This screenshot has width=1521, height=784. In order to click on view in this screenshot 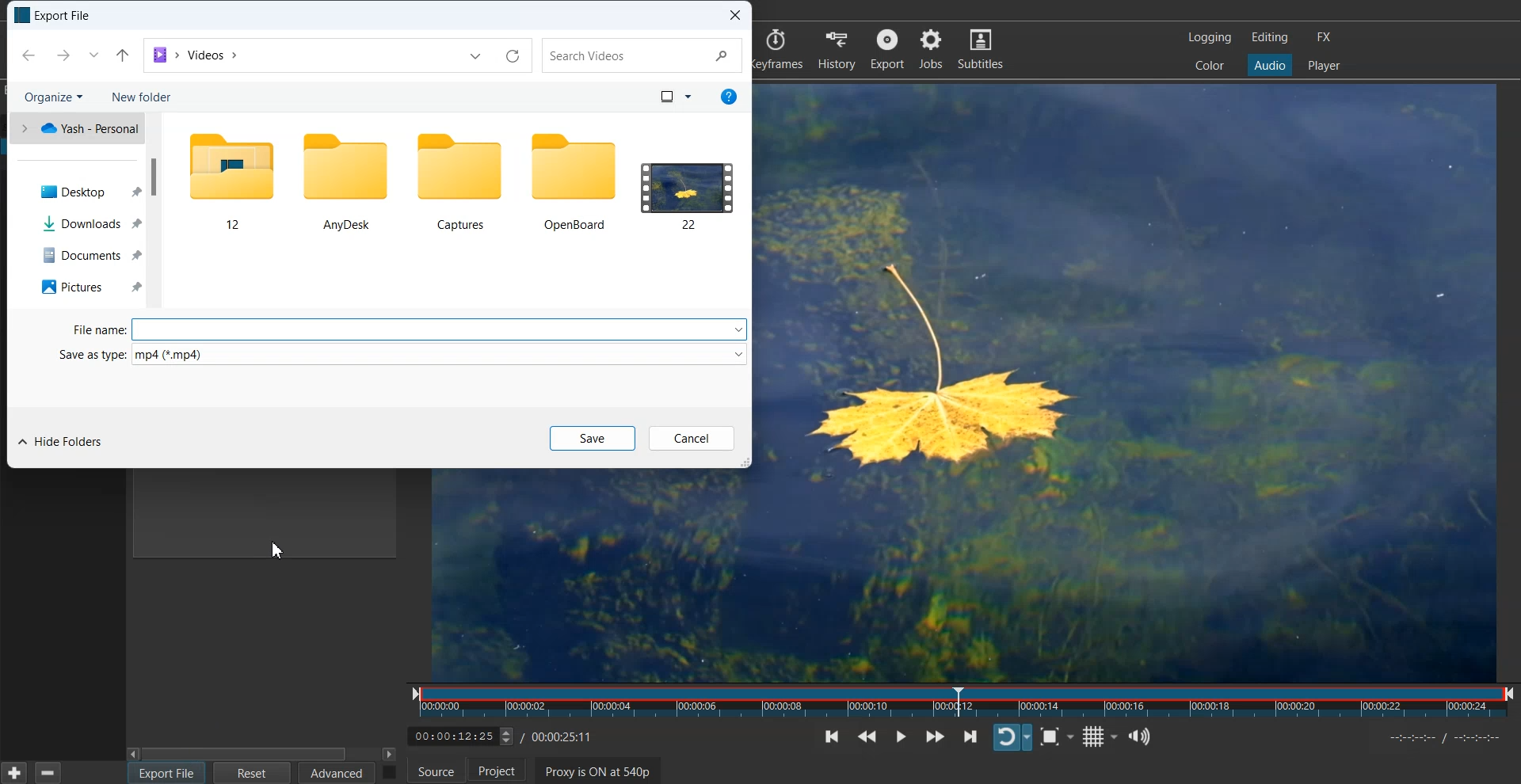, I will do `click(672, 96)`.